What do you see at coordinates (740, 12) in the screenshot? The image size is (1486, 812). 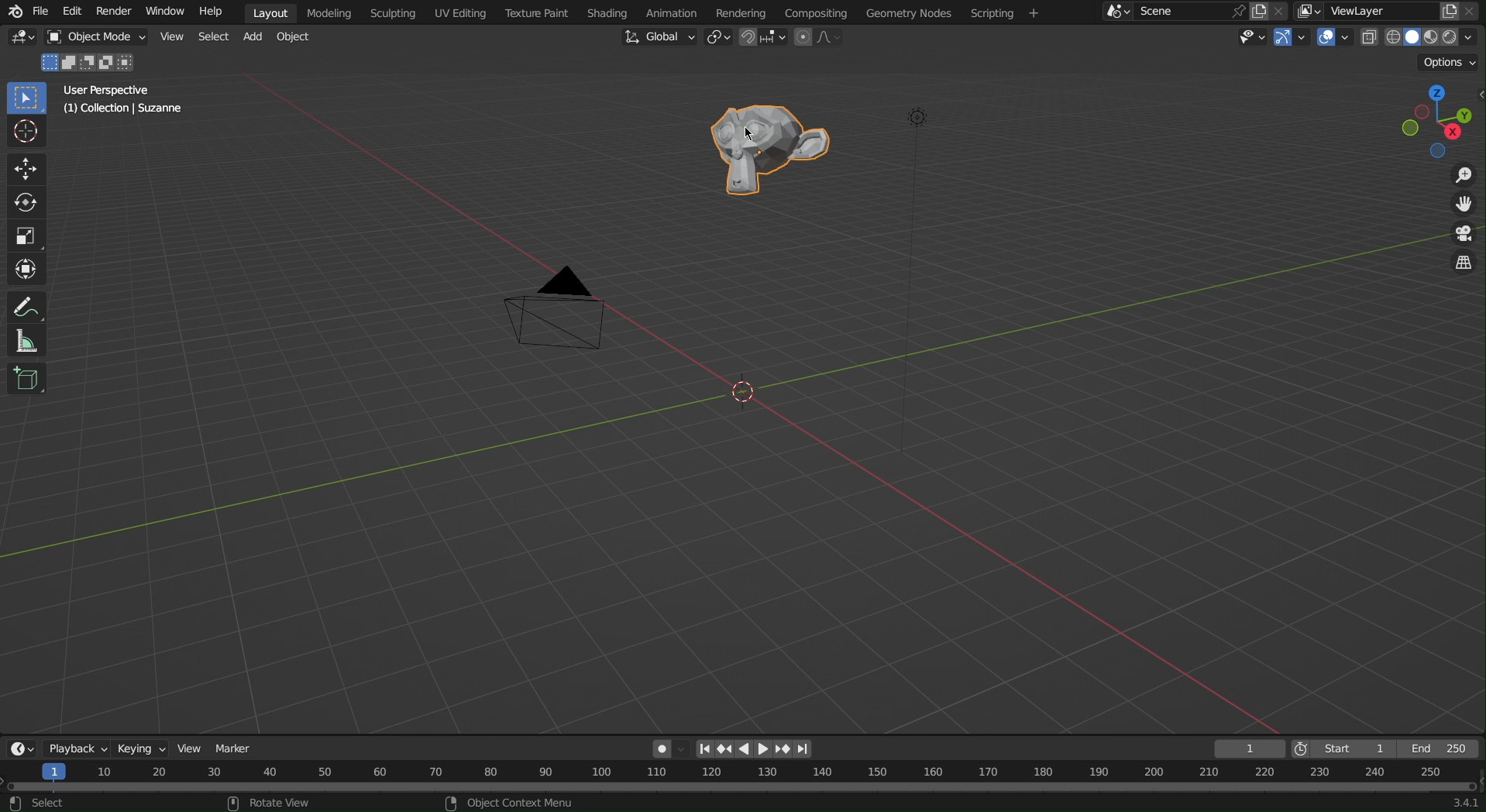 I see `Rendering` at bounding box center [740, 12].